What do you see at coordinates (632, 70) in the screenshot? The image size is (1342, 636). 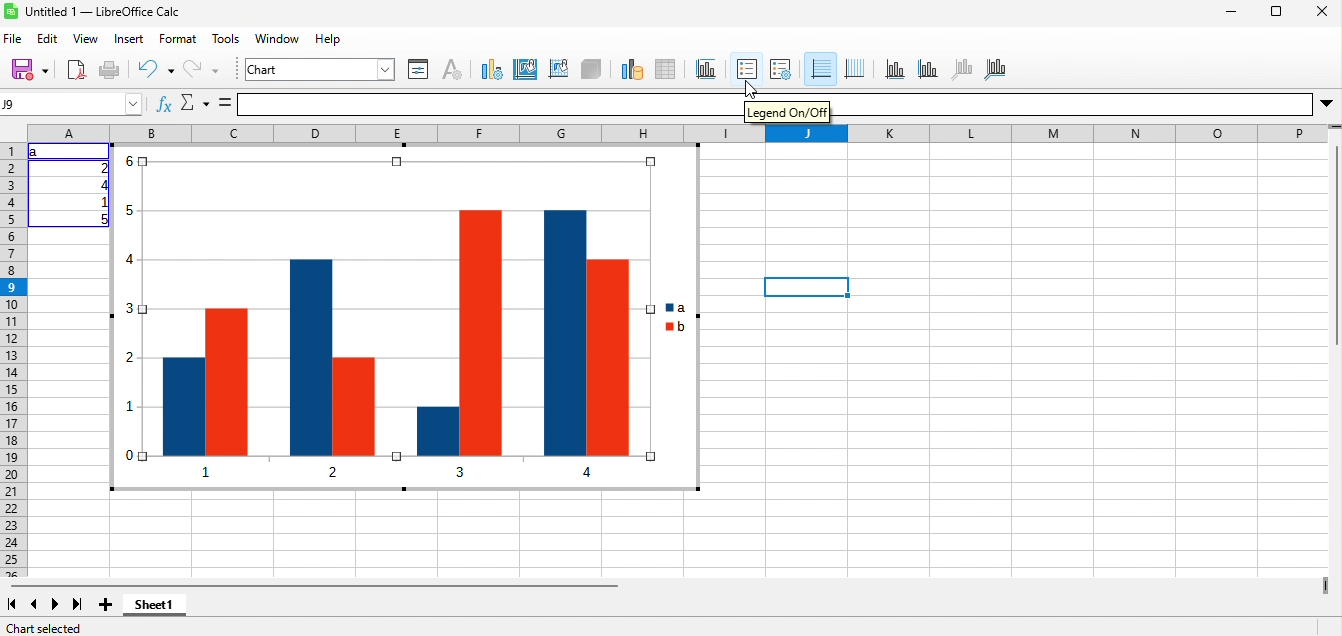 I see `data range` at bounding box center [632, 70].